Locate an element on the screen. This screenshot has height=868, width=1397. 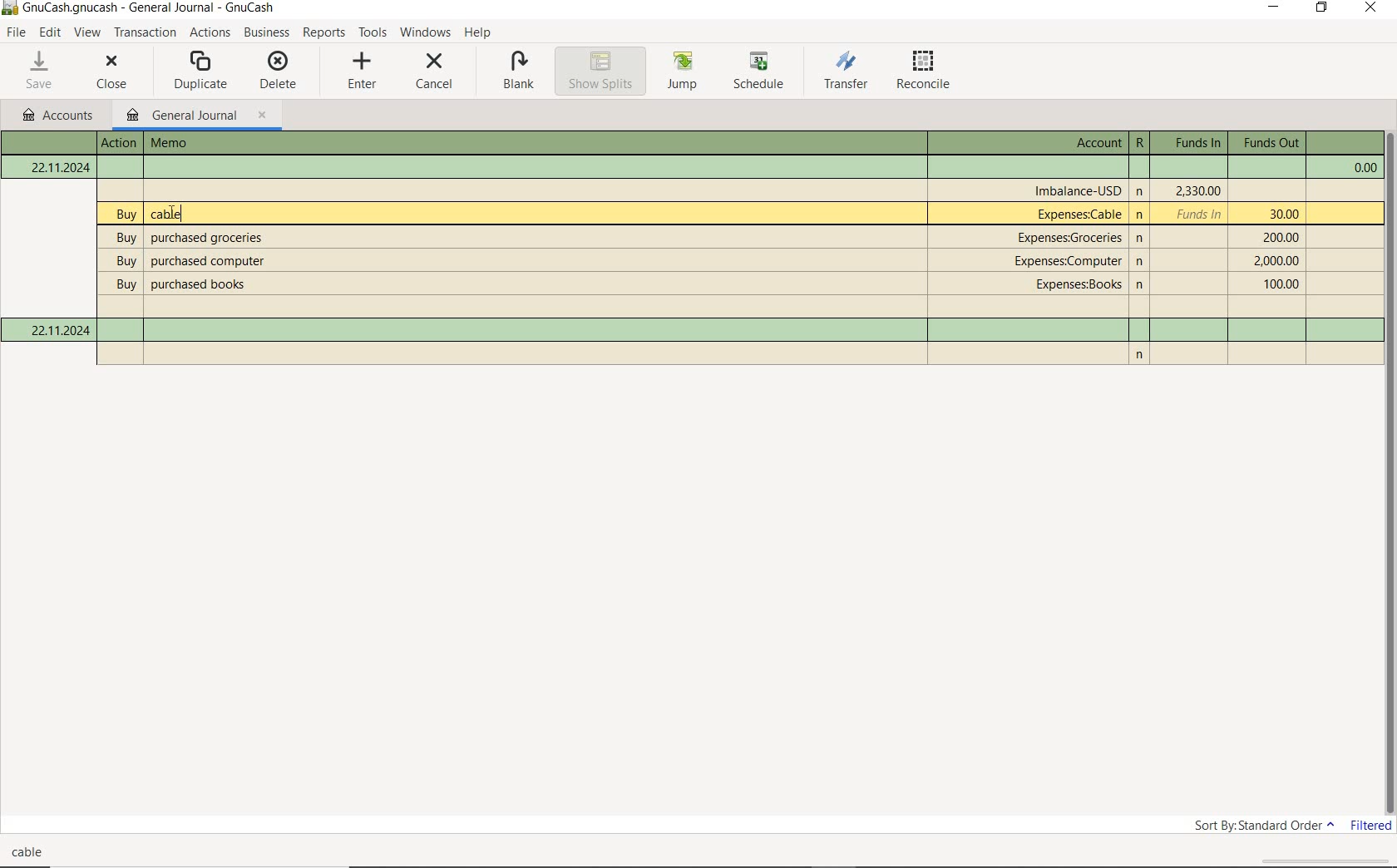
filtered is located at coordinates (1371, 826).